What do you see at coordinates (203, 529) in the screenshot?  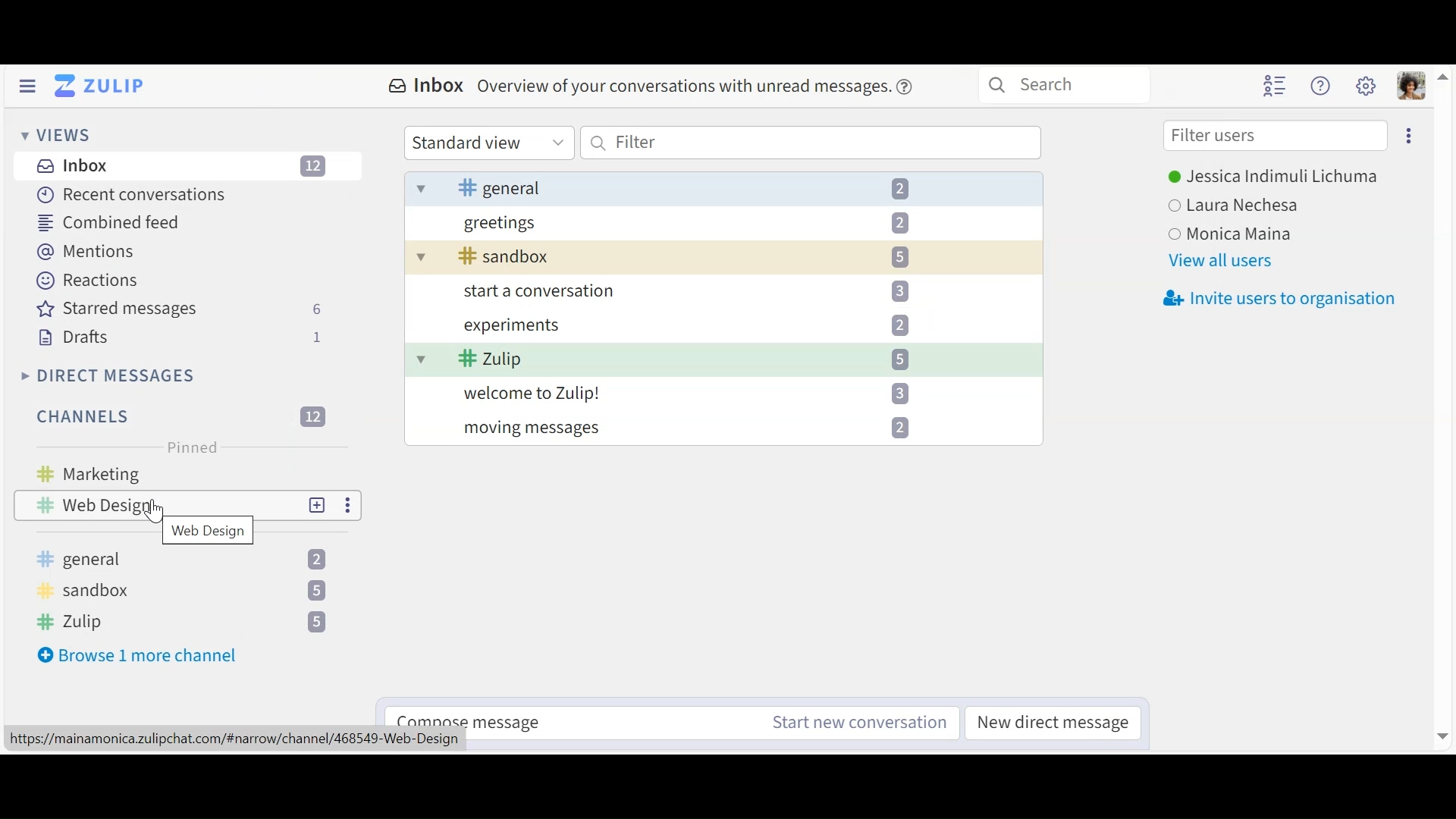 I see `web design` at bounding box center [203, 529].